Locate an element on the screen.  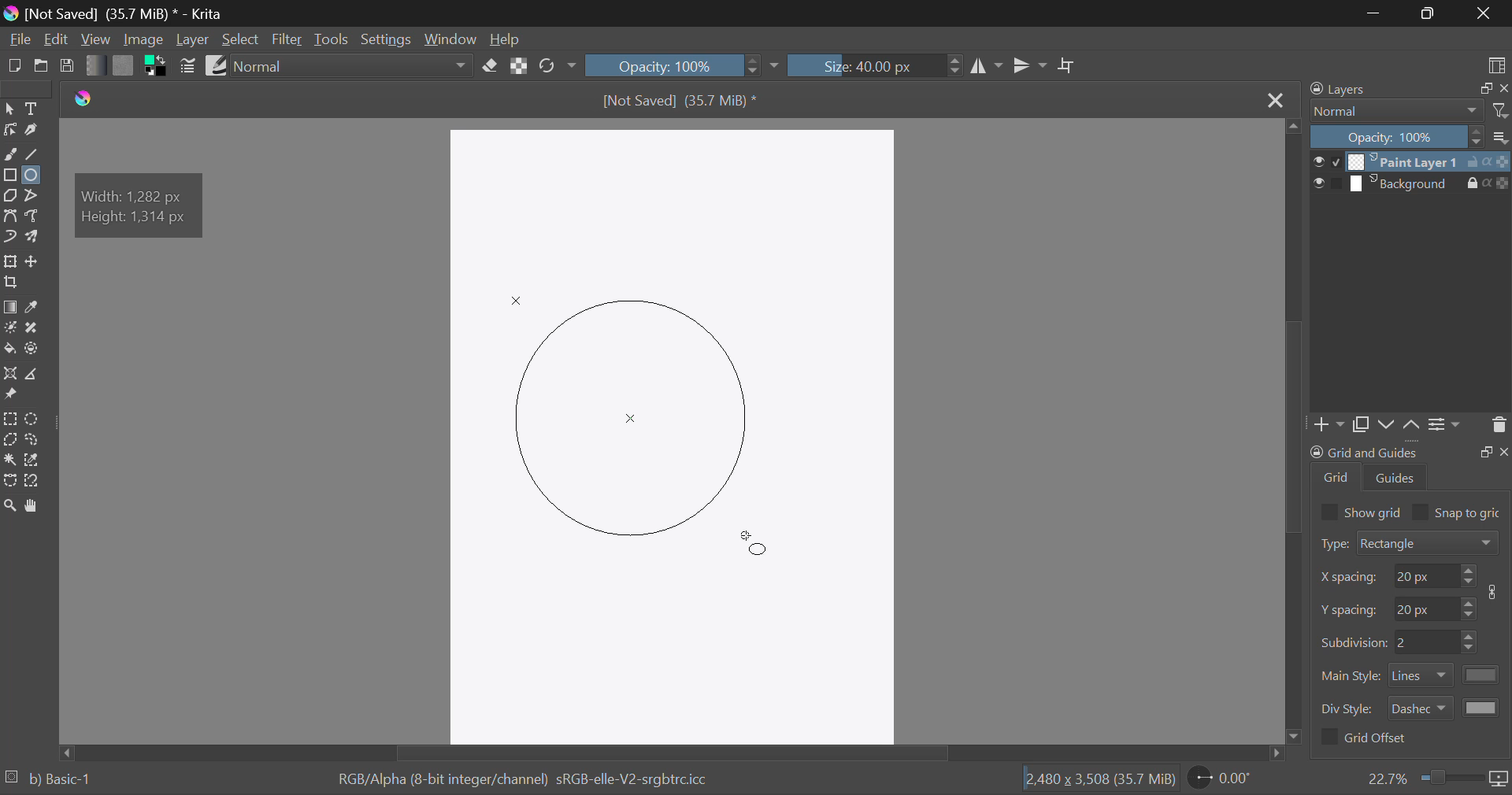
Freehand Path Tool is located at coordinates (33, 215).